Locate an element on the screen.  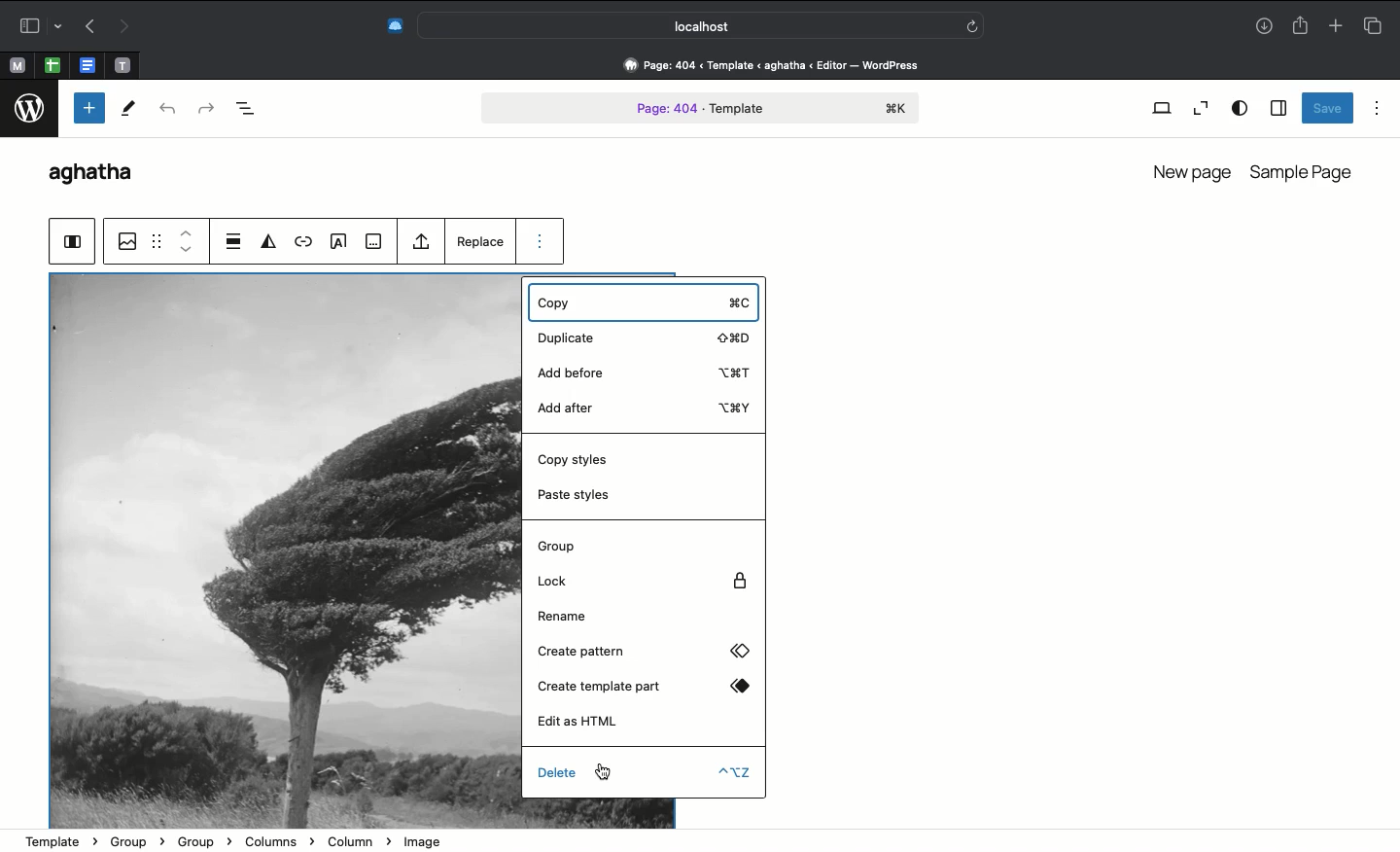
Address is located at coordinates (700, 841).